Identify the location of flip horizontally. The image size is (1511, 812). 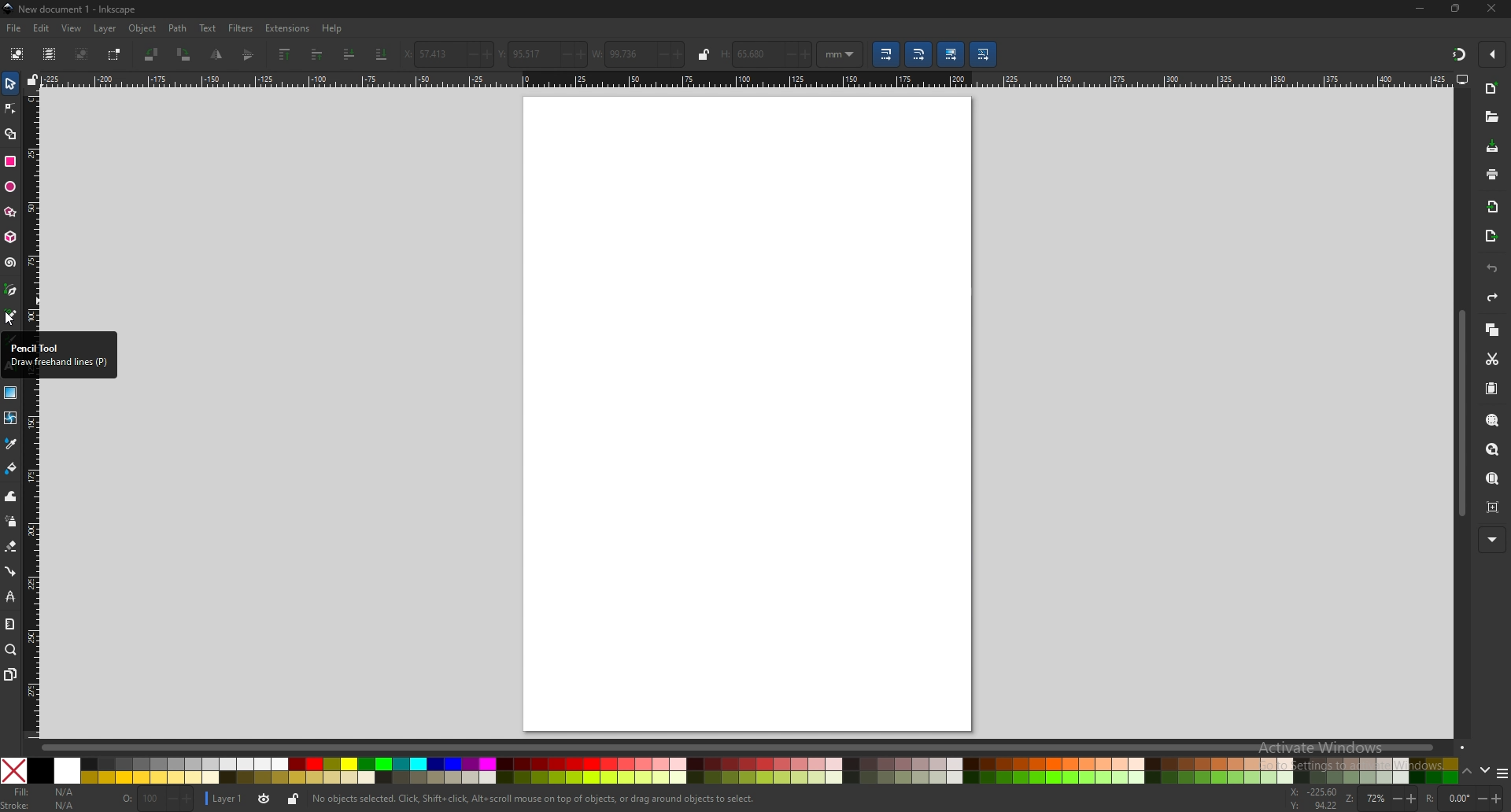
(249, 54).